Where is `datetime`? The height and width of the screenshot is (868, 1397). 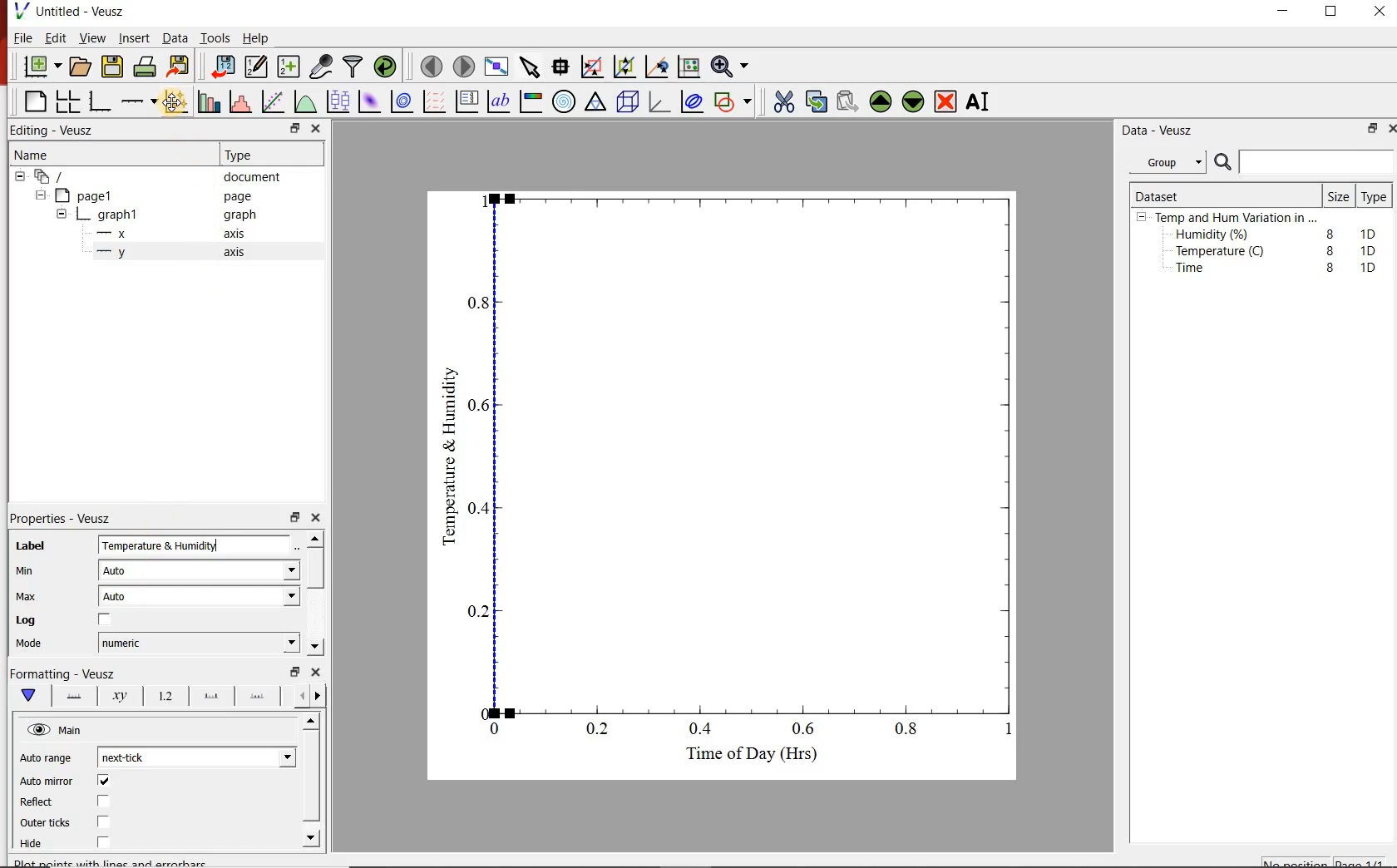 datetime is located at coordinates (127, 643).